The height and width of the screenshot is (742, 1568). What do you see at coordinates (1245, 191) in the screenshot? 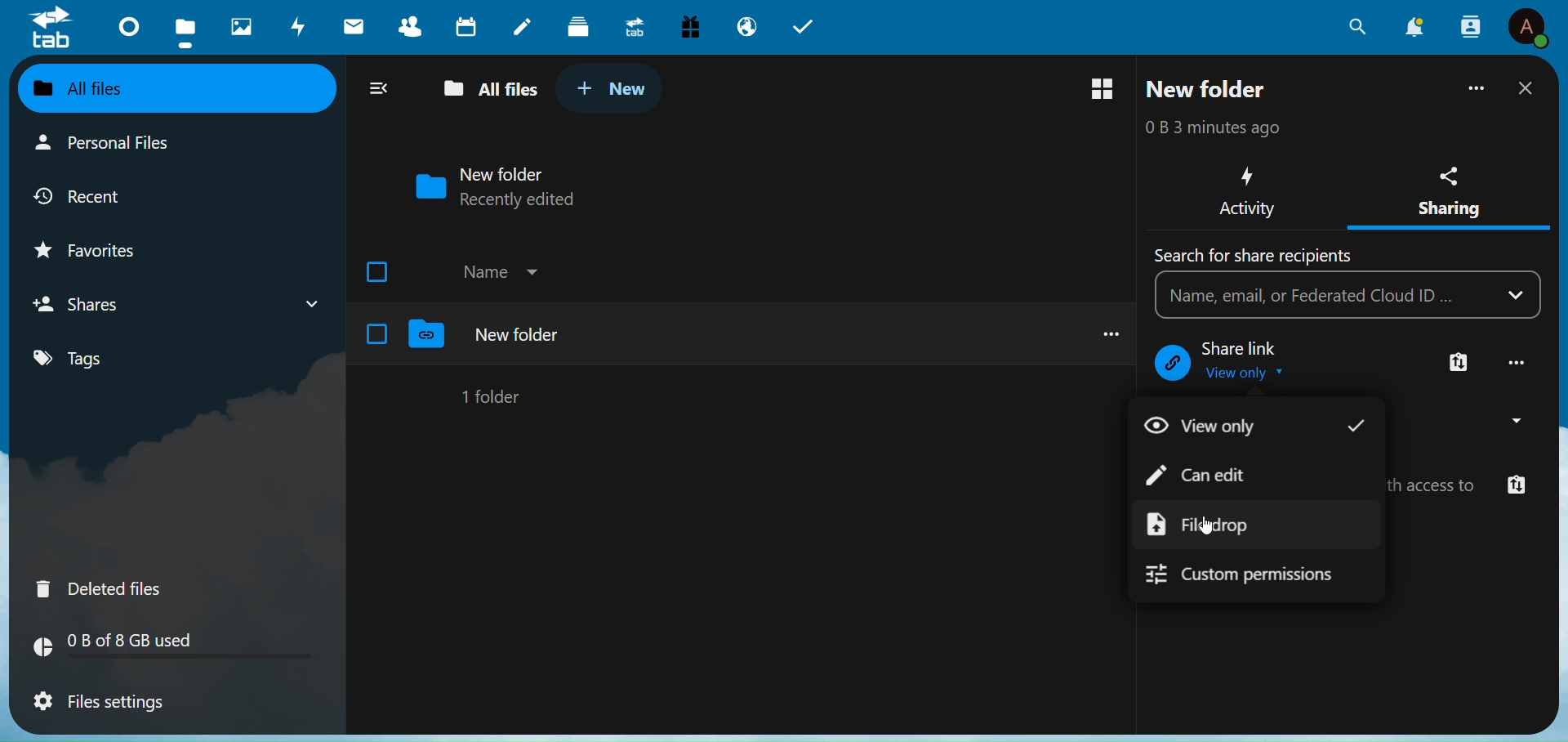
I see `Activity` at bounding box center [1245, 191].